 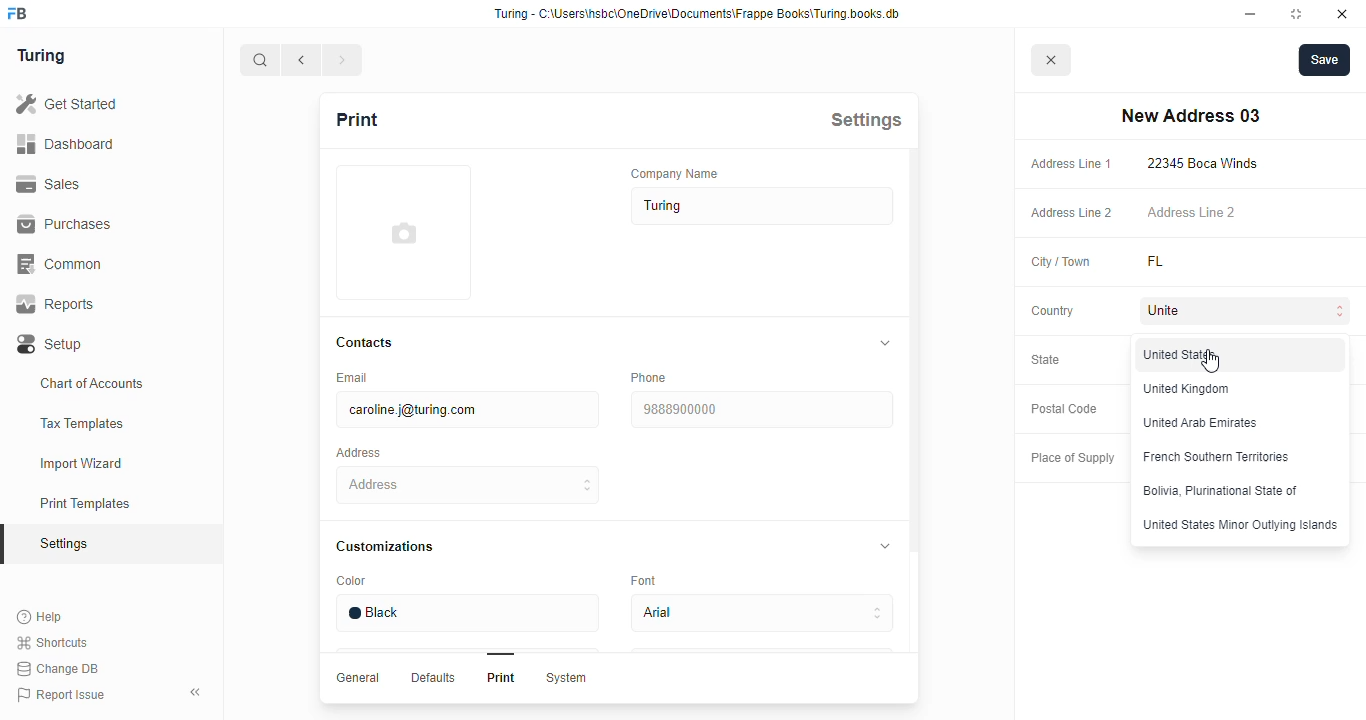 What do you see at coordinates (62, 264) in the screenshot?
I see `common` at bounding box center [62, 264].